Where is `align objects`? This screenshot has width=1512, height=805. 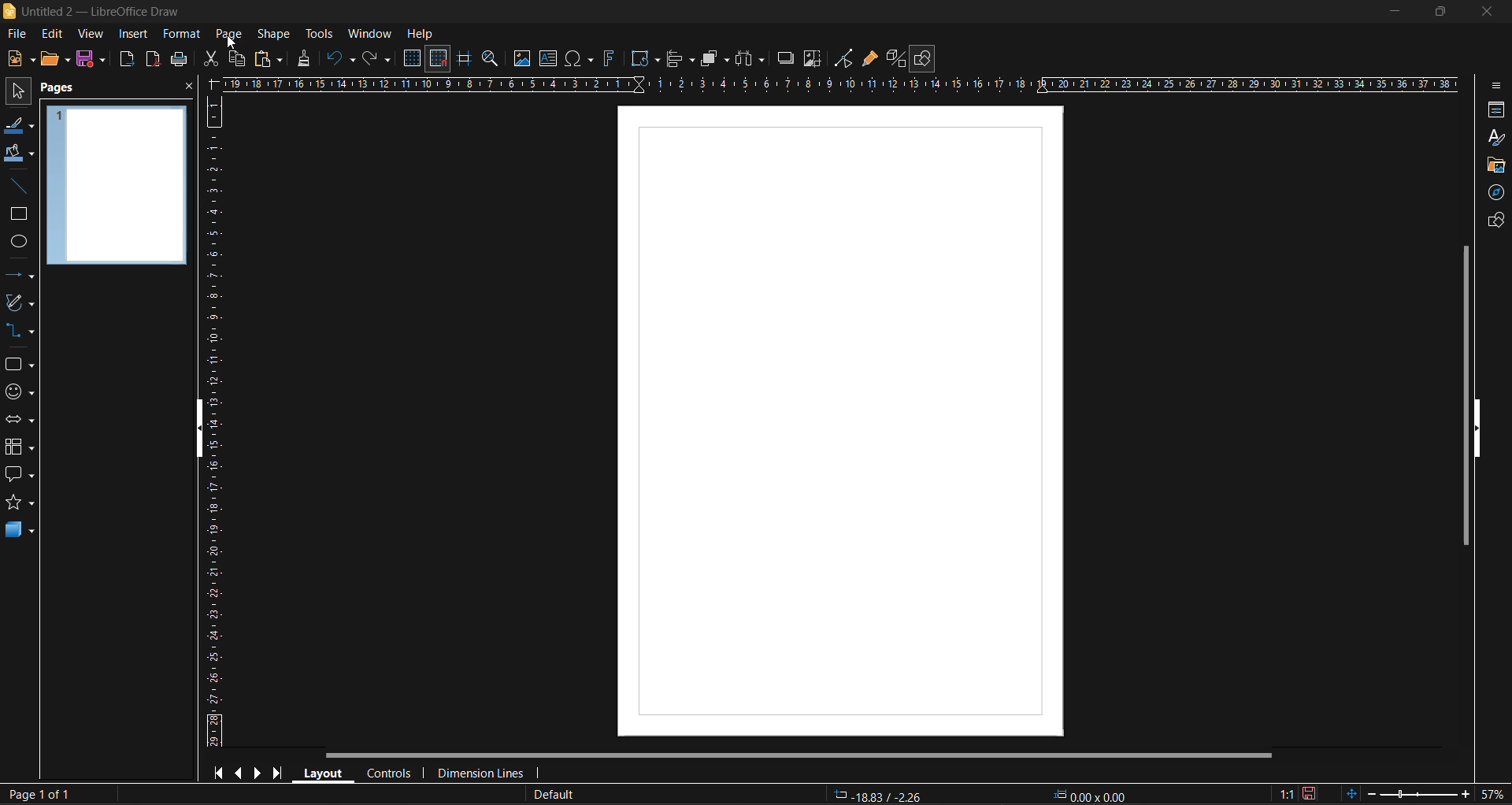
align objects is located at coordinates (680, 61).